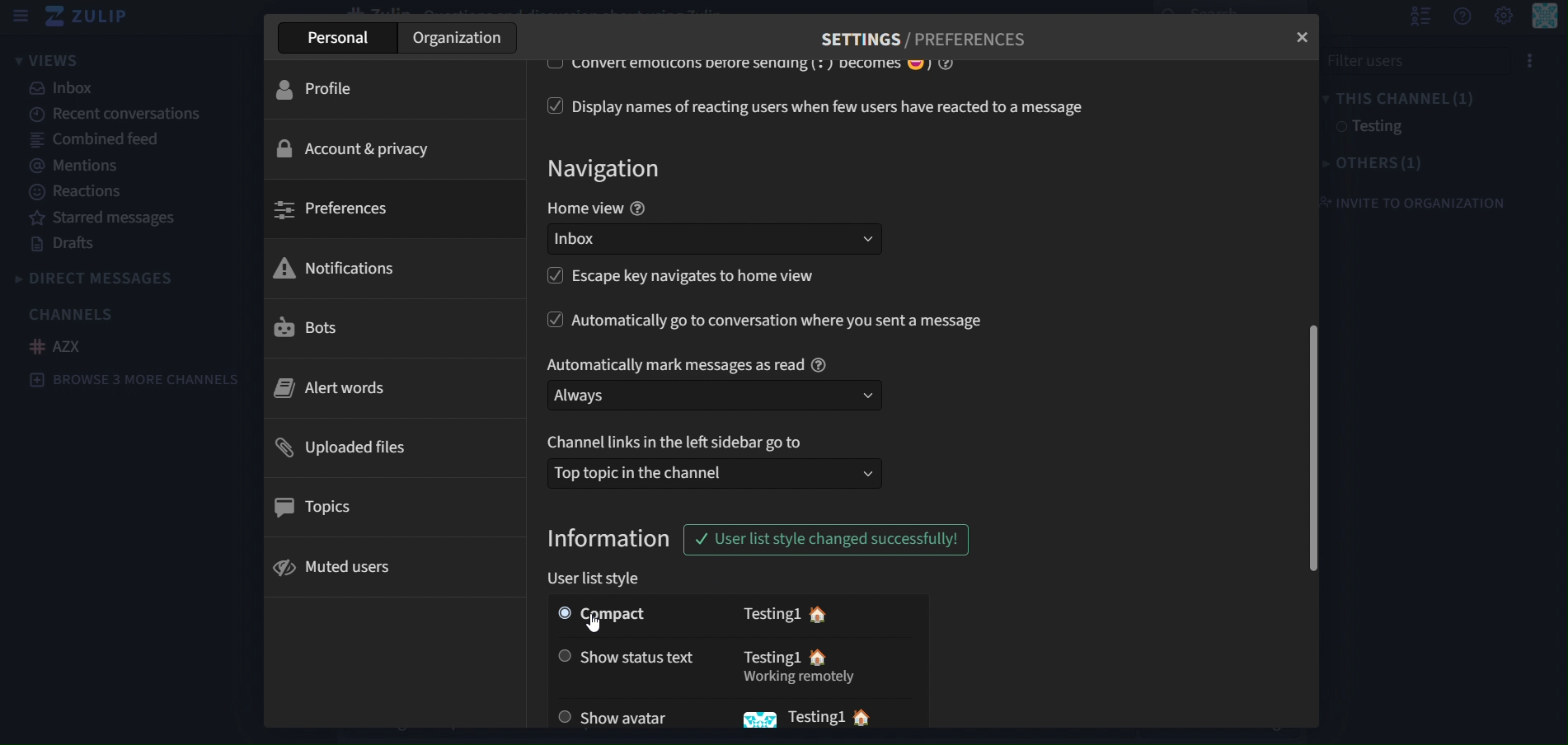 This screenshot has width=1568, height=745. Describe the element at coordinates (781, 321) in the screenshot. I see `automatically go to conversation where you sent a message` at that location.